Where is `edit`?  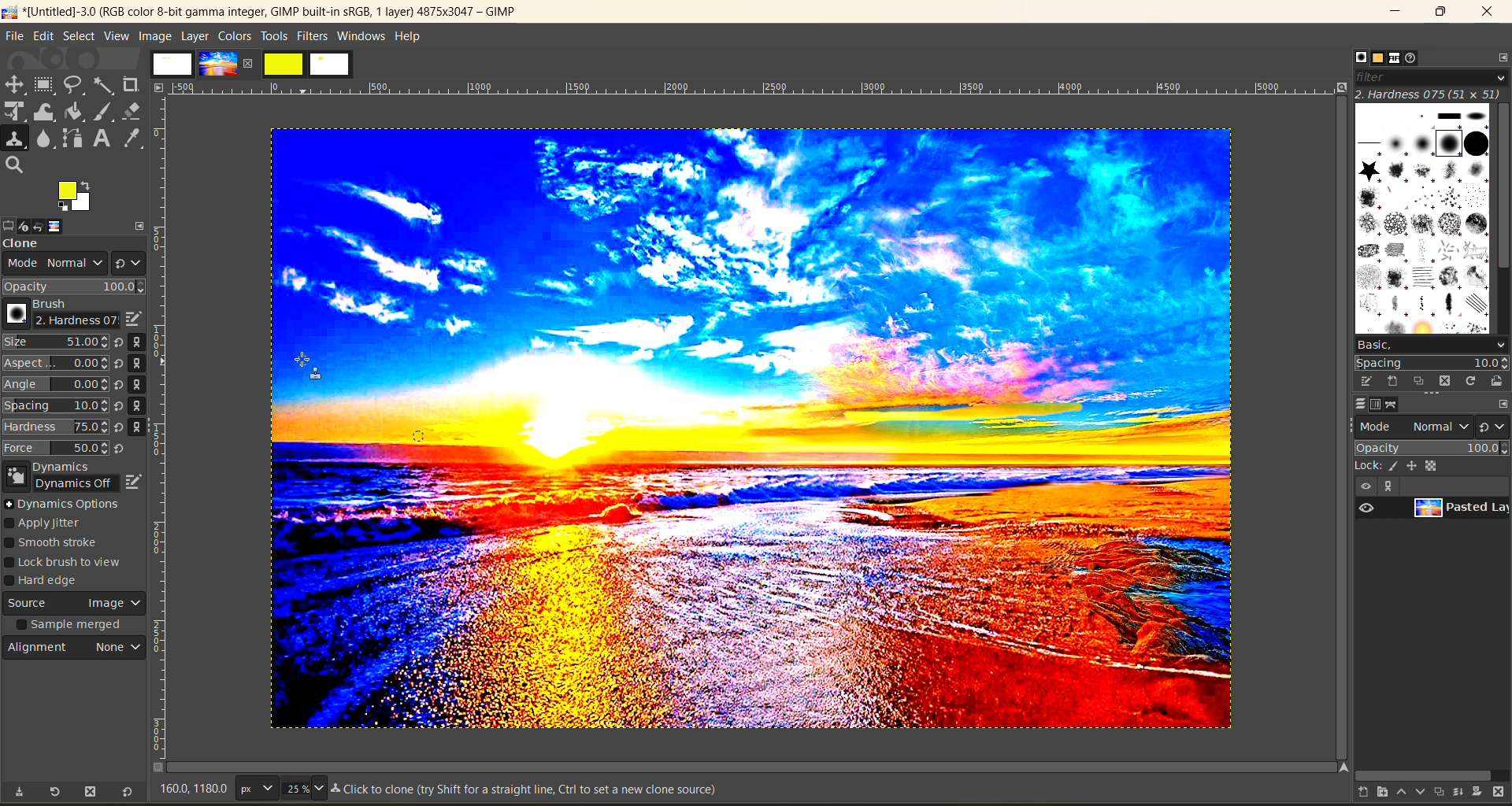 edit is located at coordinates (135, 479).